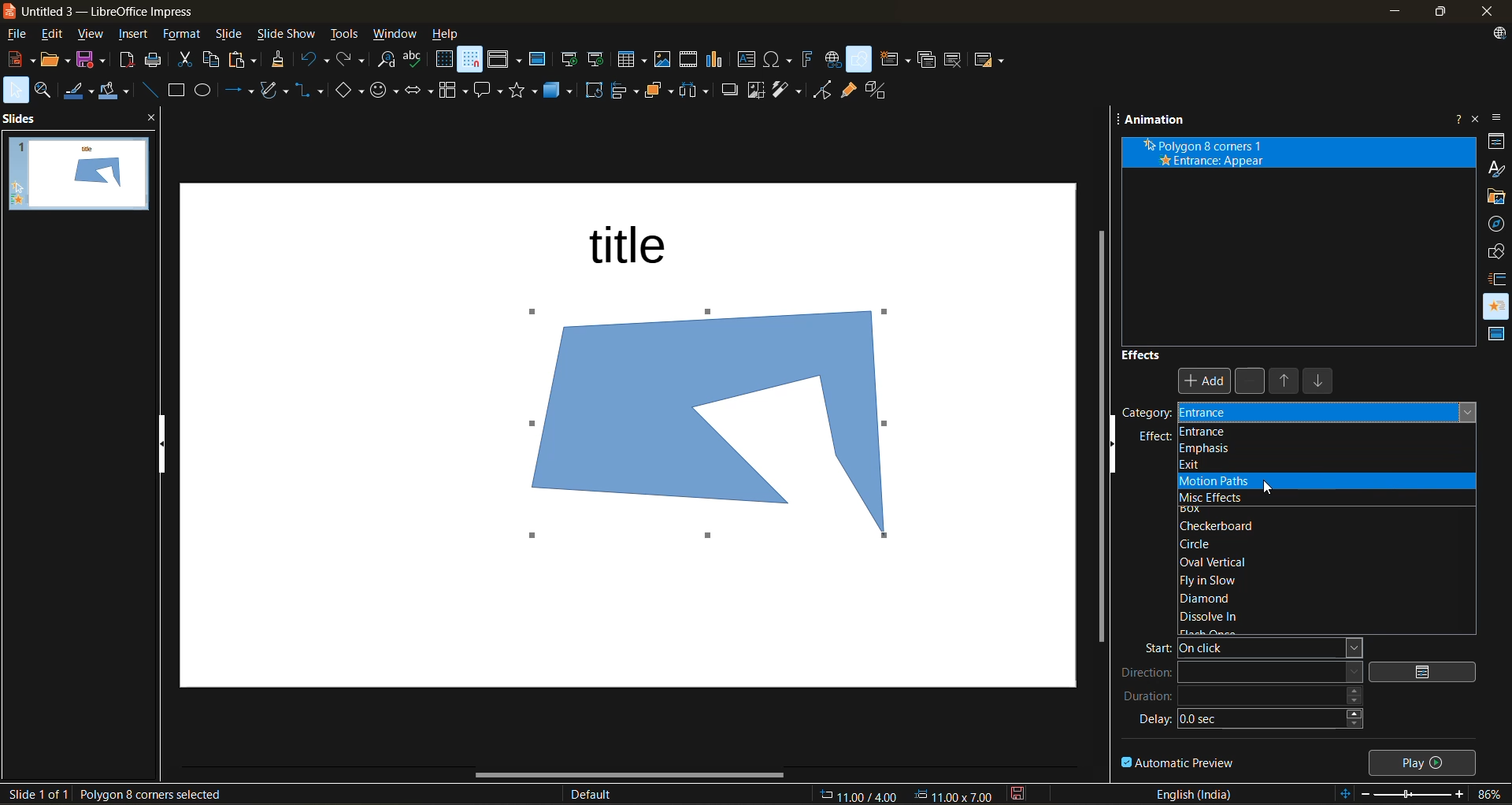  What do you see at coordinates (1248, 695) in the screenshot?
I see `duration` at bounding box center [1248, 695].